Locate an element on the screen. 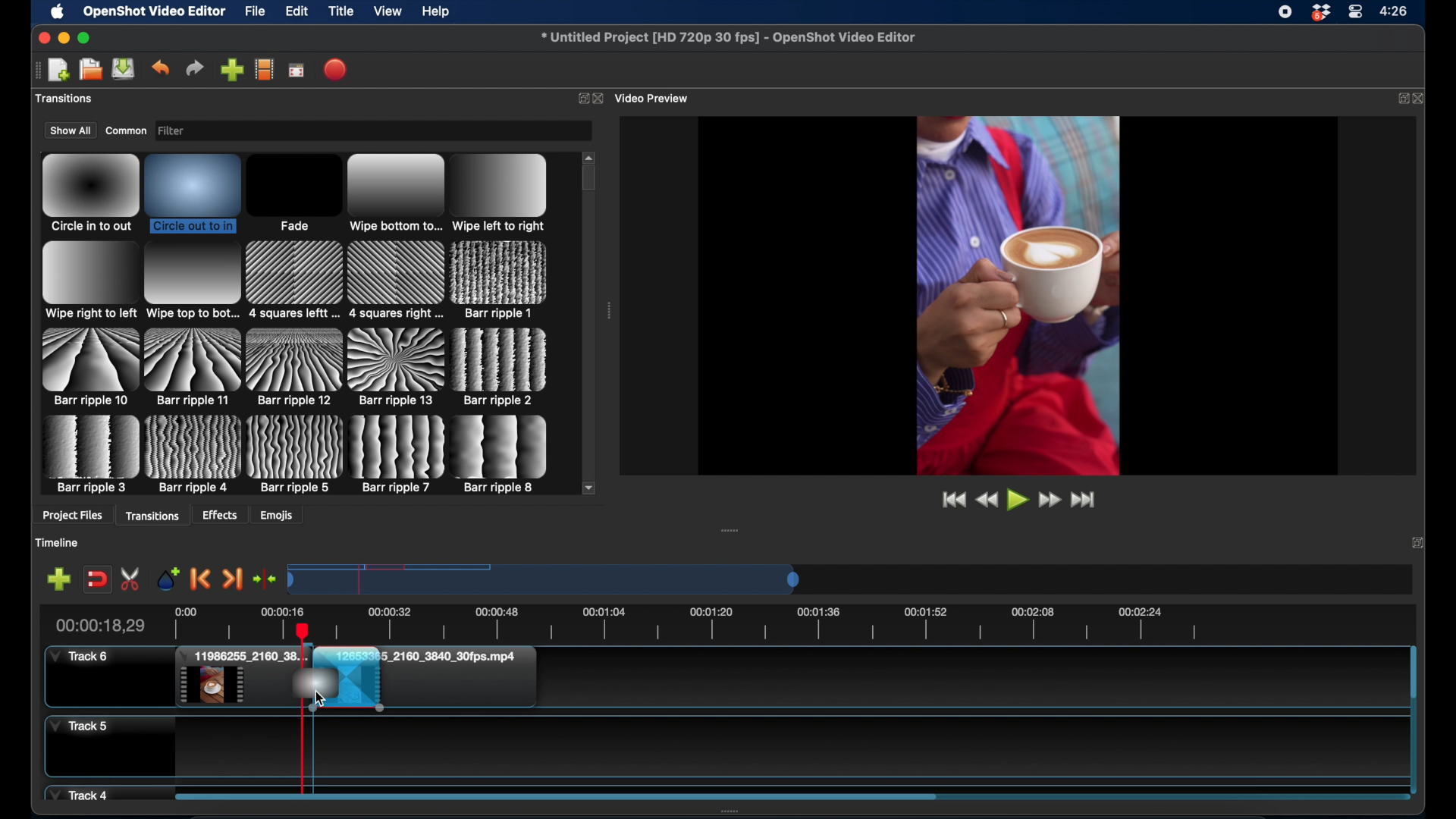 This screenshot has height=819, width=1456. choose profile is located at coordinates (264, 69).